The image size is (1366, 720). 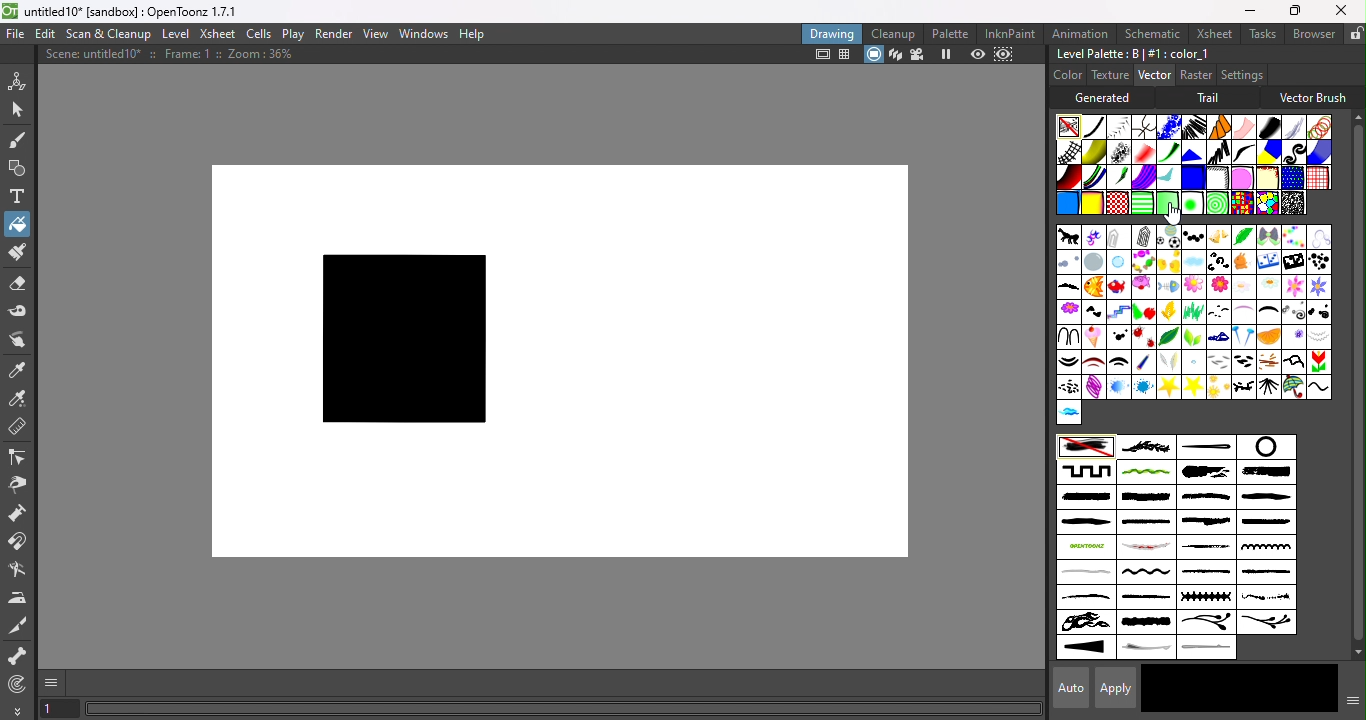 What do you see at coordinates (1268, 289) in the screenshot?
I see `flow3` at bounding box center [1268, 289].